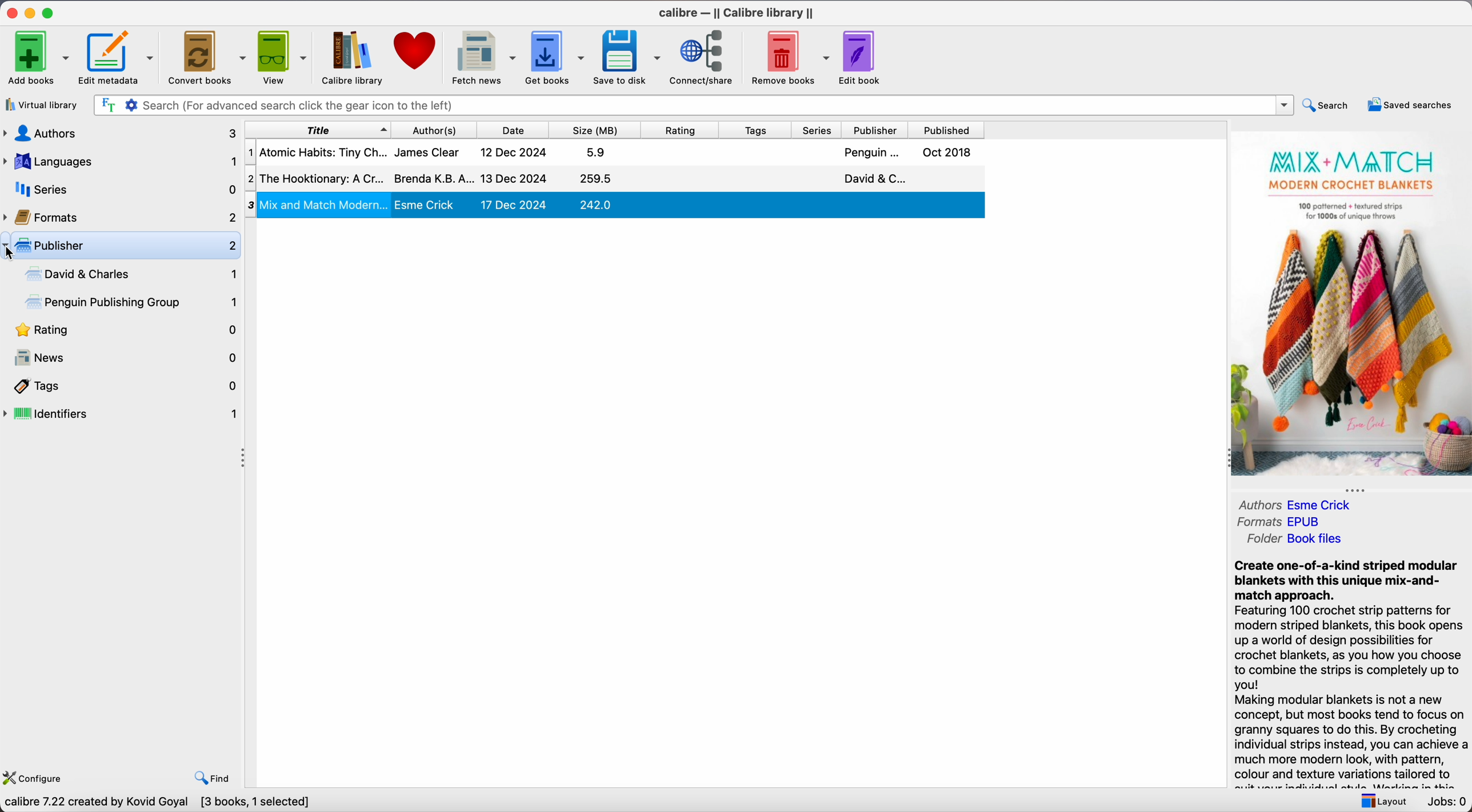 The width and height of the screenshot is (1472, 812). What do you see at coordinates (38, 56) in the screenshot?
I see `add books` at bounding box center [38, 56].